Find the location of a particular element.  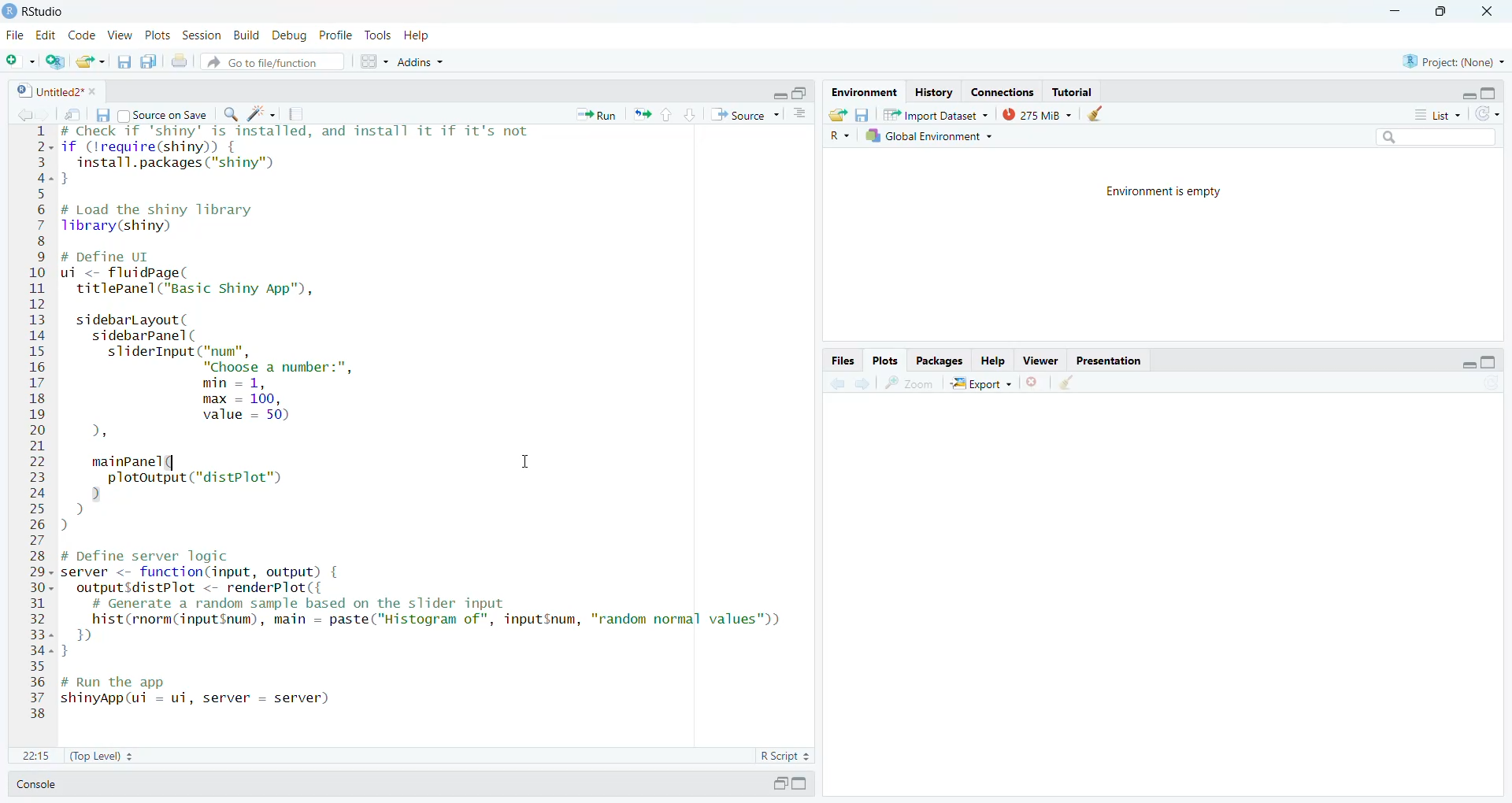

up is located at coordinates (668, 115).